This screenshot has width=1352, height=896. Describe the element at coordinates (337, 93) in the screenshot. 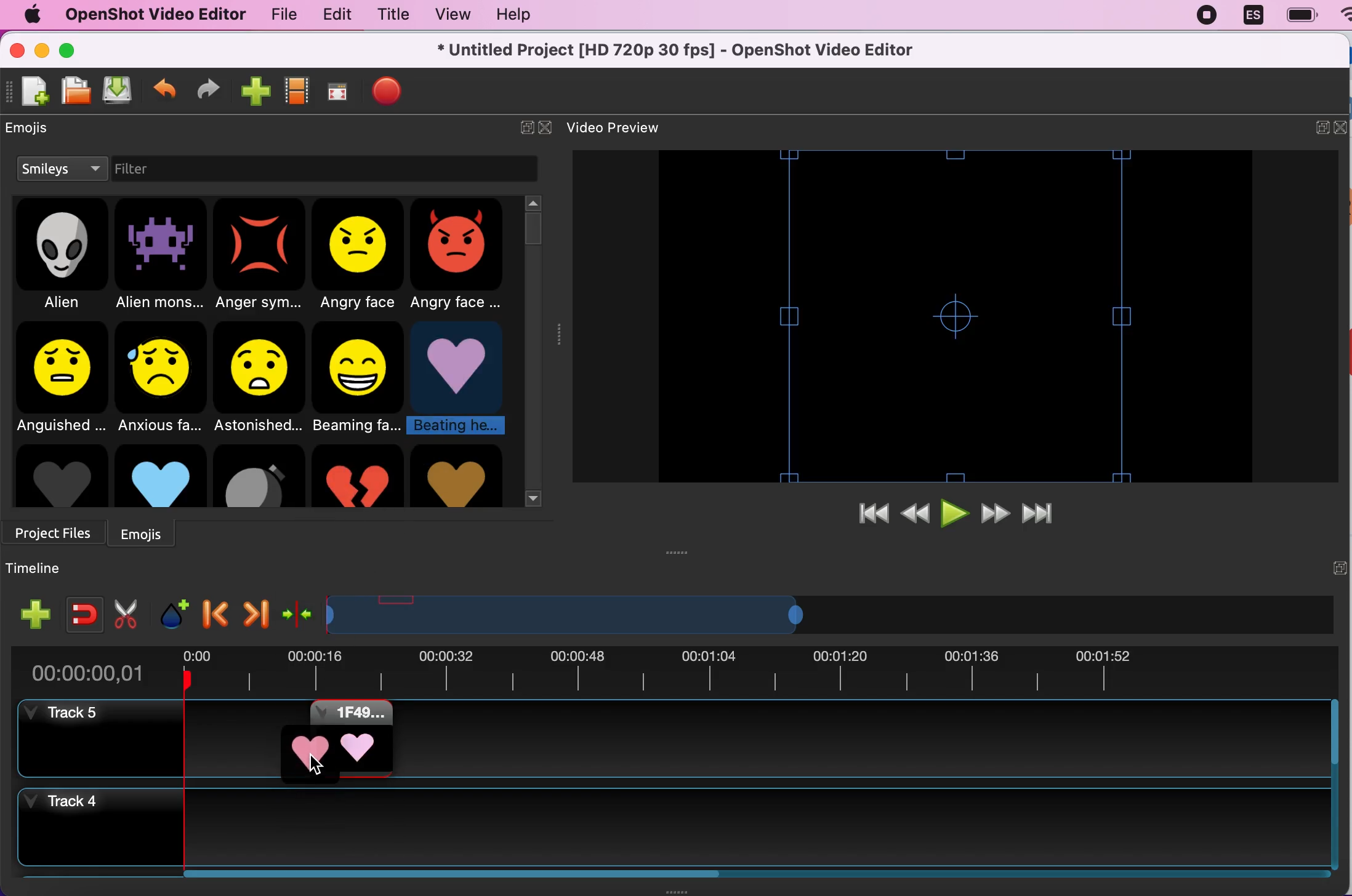

I see `full screen` at that location.